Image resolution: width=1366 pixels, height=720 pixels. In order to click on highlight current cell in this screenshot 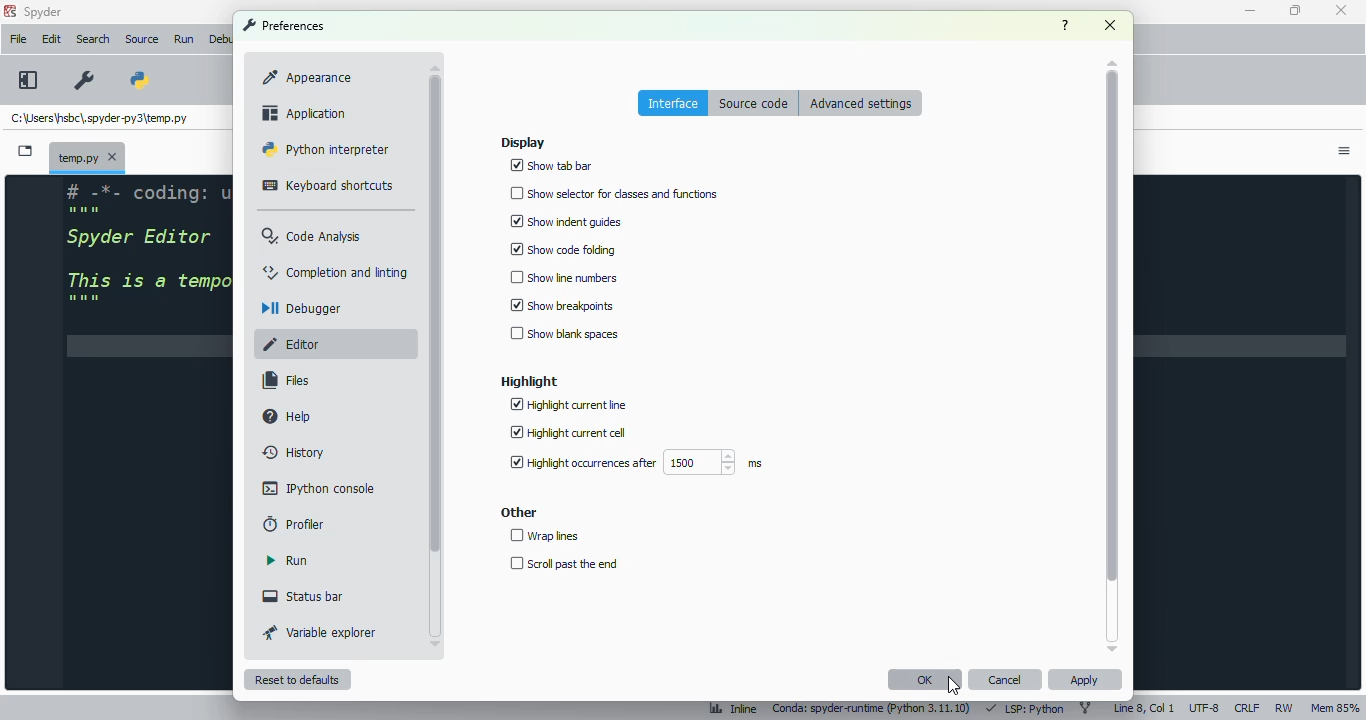, I will do `click(569, 431)`.